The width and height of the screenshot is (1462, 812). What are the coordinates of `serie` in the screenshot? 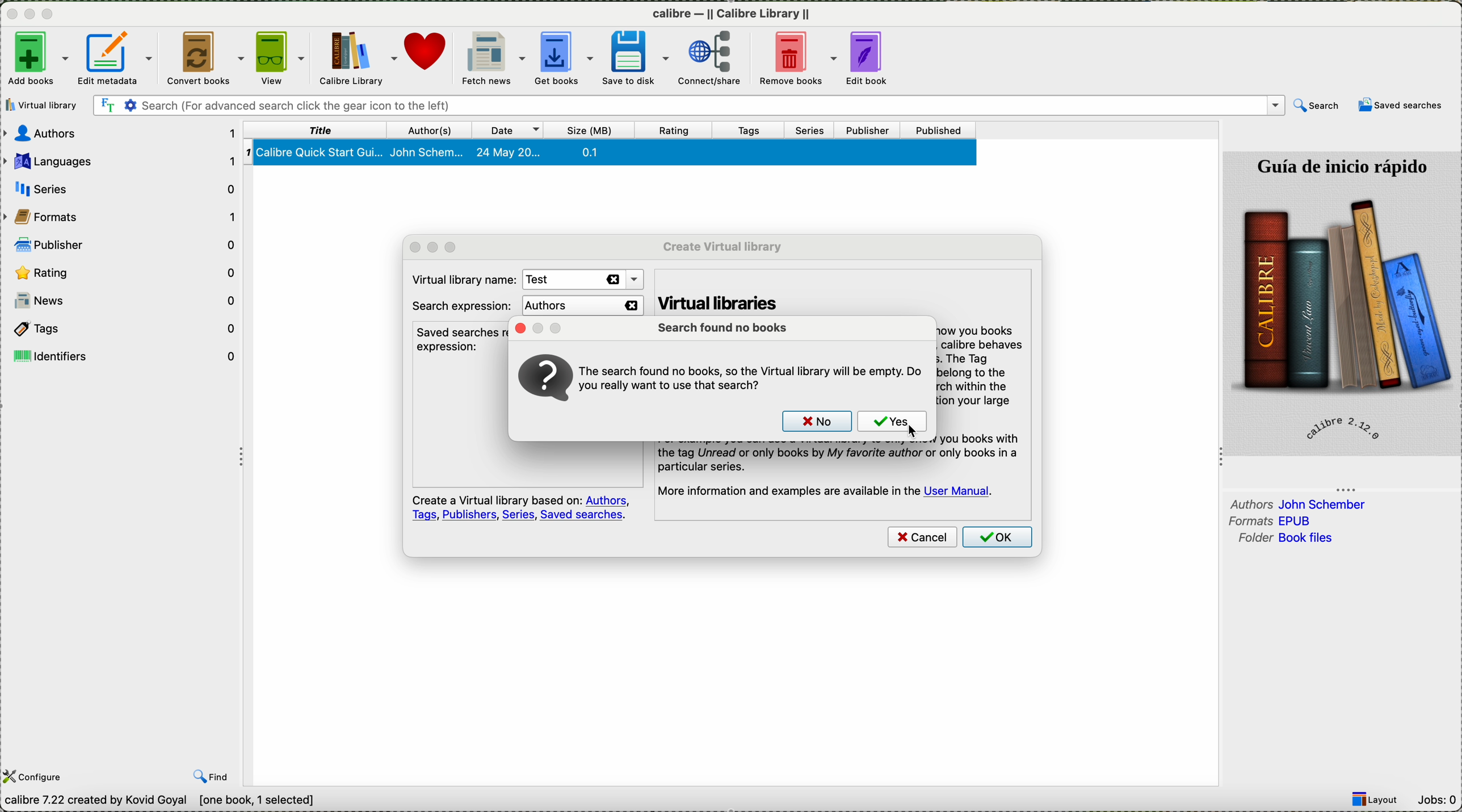 It's located at (123, 187).